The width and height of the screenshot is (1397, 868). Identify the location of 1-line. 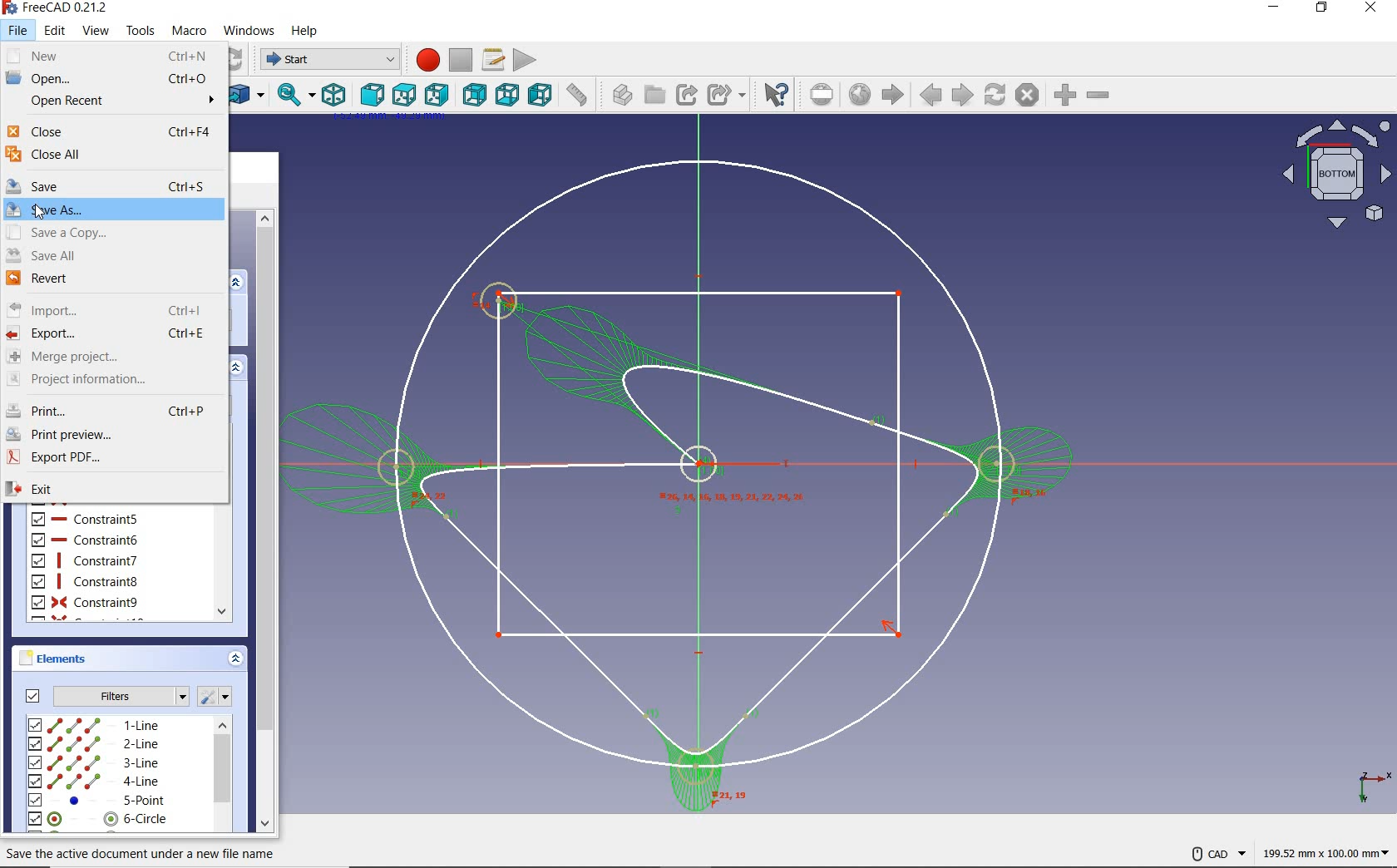
(95, 724).